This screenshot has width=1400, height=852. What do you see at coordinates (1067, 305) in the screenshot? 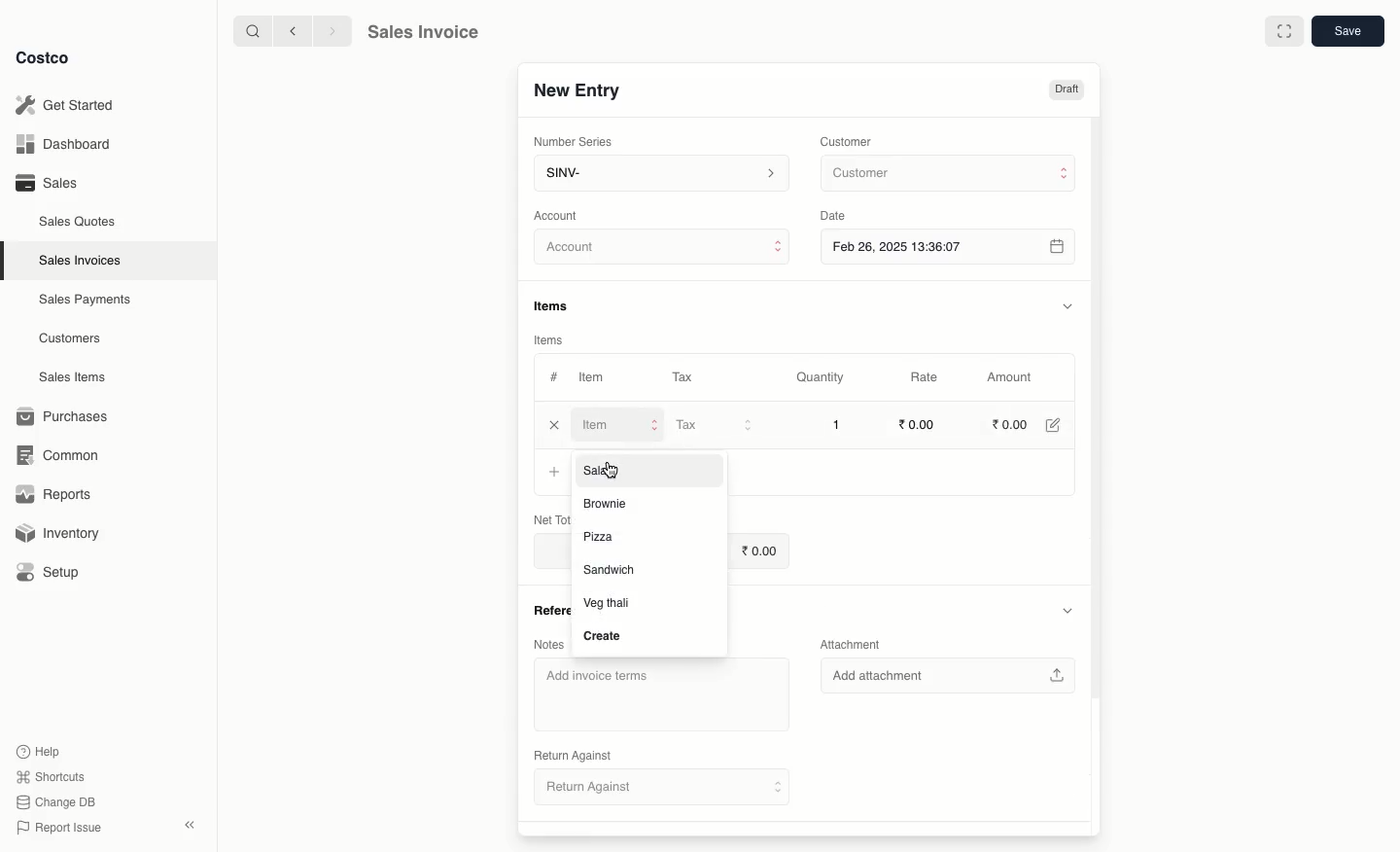
I see `Hide` at bounding box center [1067, 305].